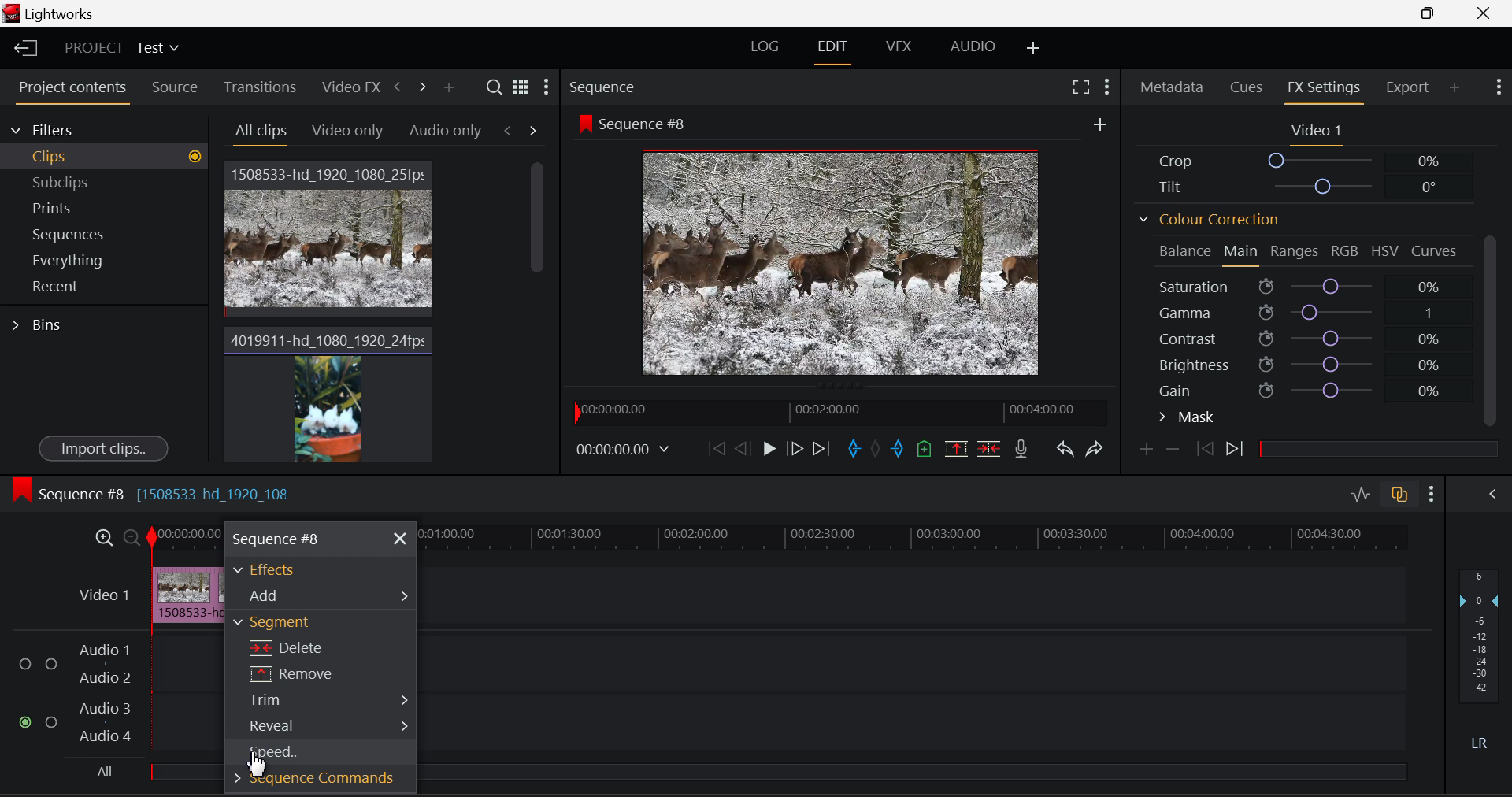  Describe the element at coordinates (925, 449) in the screenshot. I see `Add Cue` at that location.